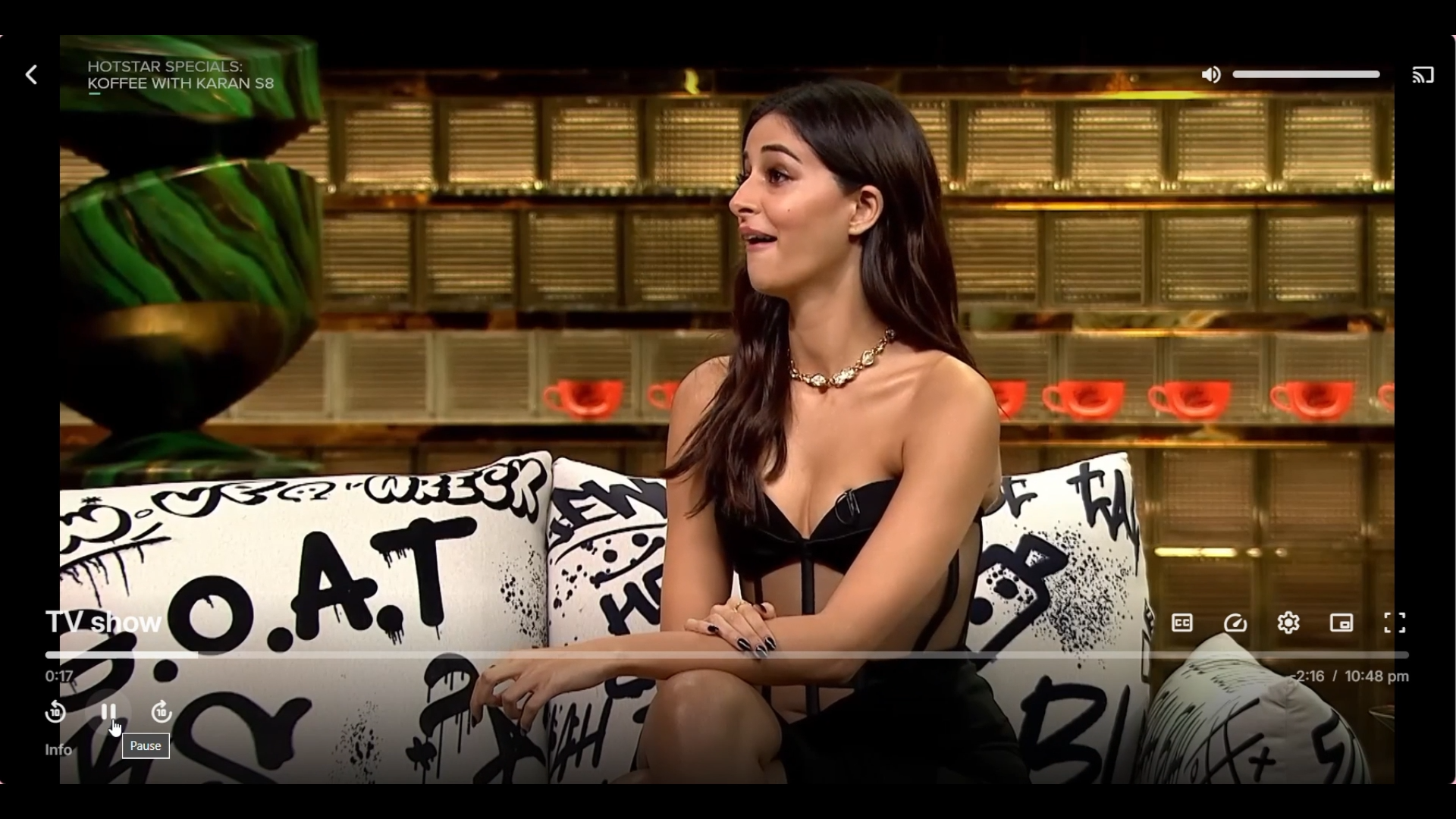  What do you see at coordinates (1305, 74) in the screenshot?
I see `Slider to change volume` at bounding box center [1305, 74].